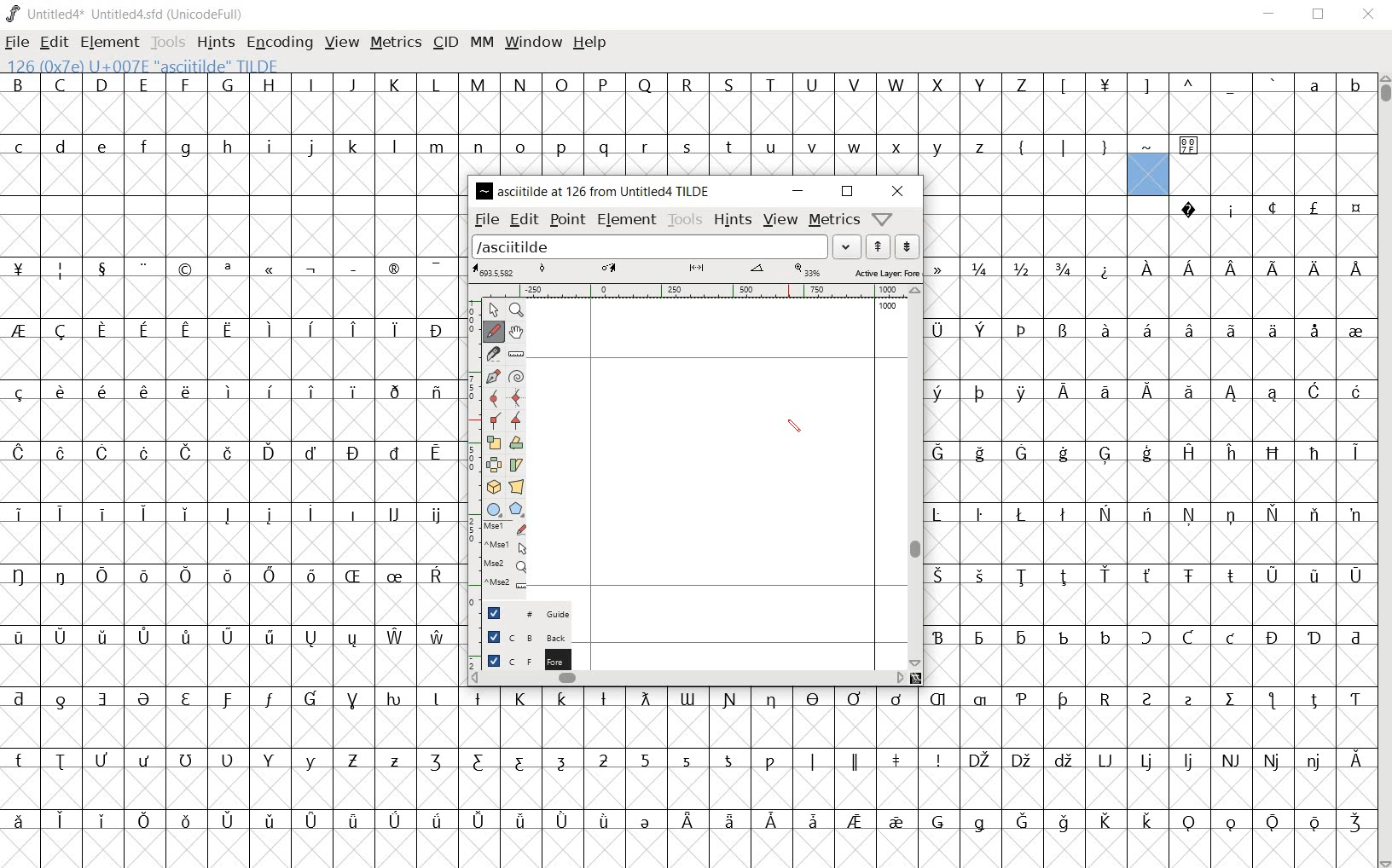 This screenshot has width=1392, height=868. What do you see at coordinates (848, 192) in the screenshot?
I see `restore` at bounding box center [848, 192].